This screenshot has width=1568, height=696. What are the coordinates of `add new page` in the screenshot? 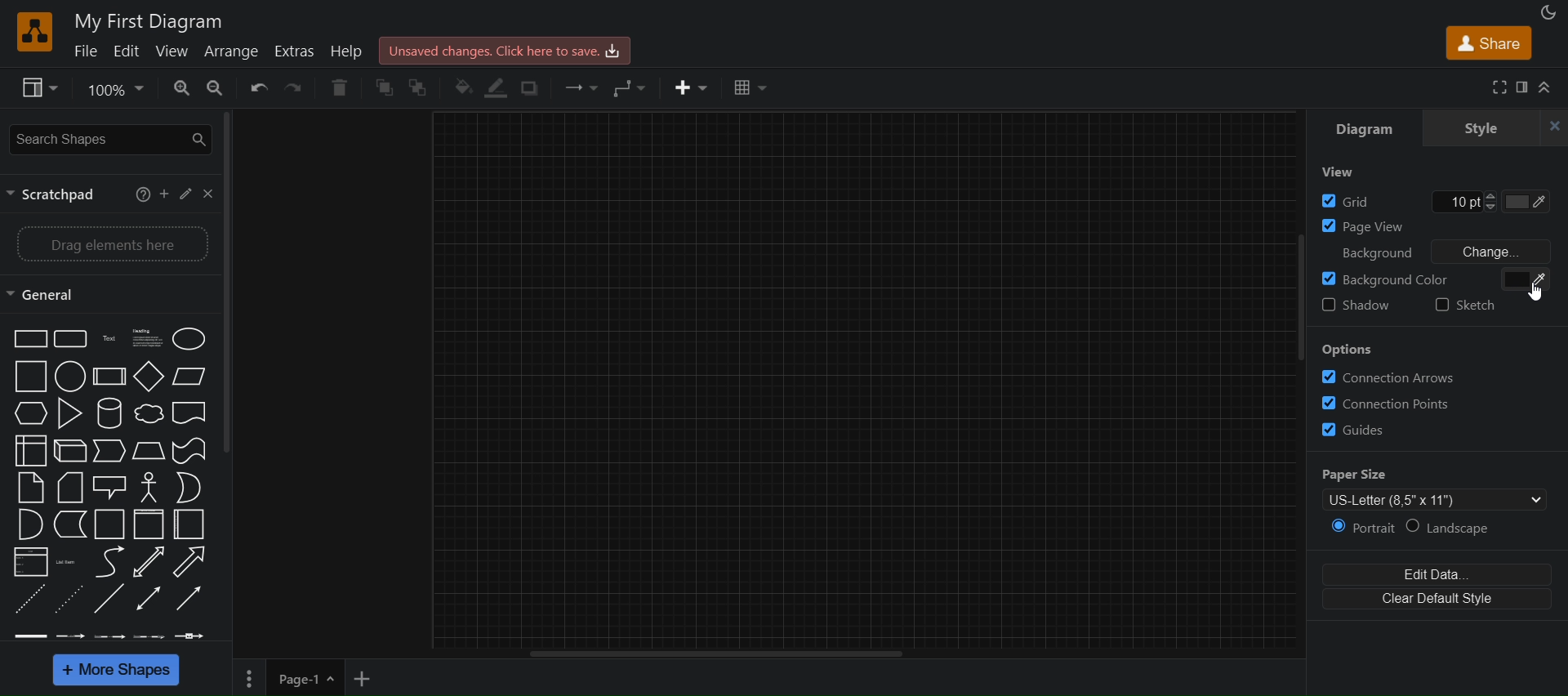 It's located at (367, 680).